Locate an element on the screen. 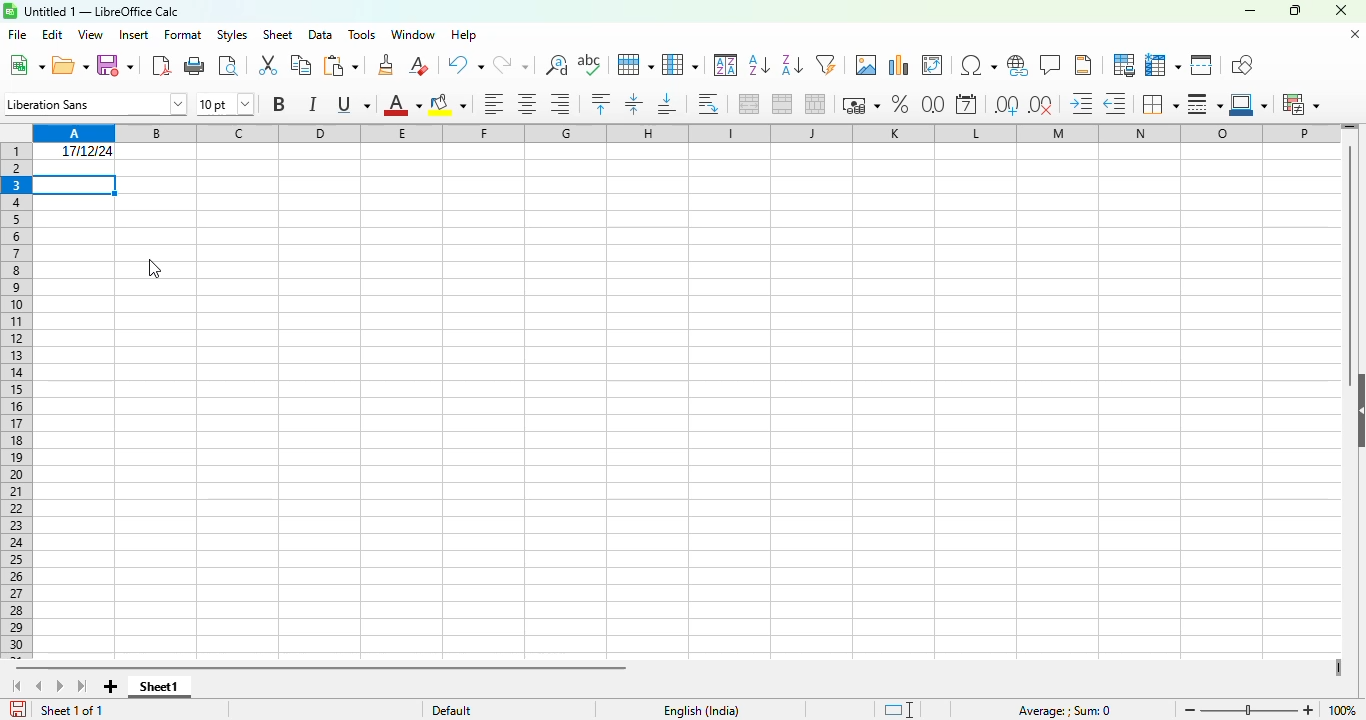 Image resolution: width=1366 pixels, height=720 pixels. underline is located at coordinates (353, 104).